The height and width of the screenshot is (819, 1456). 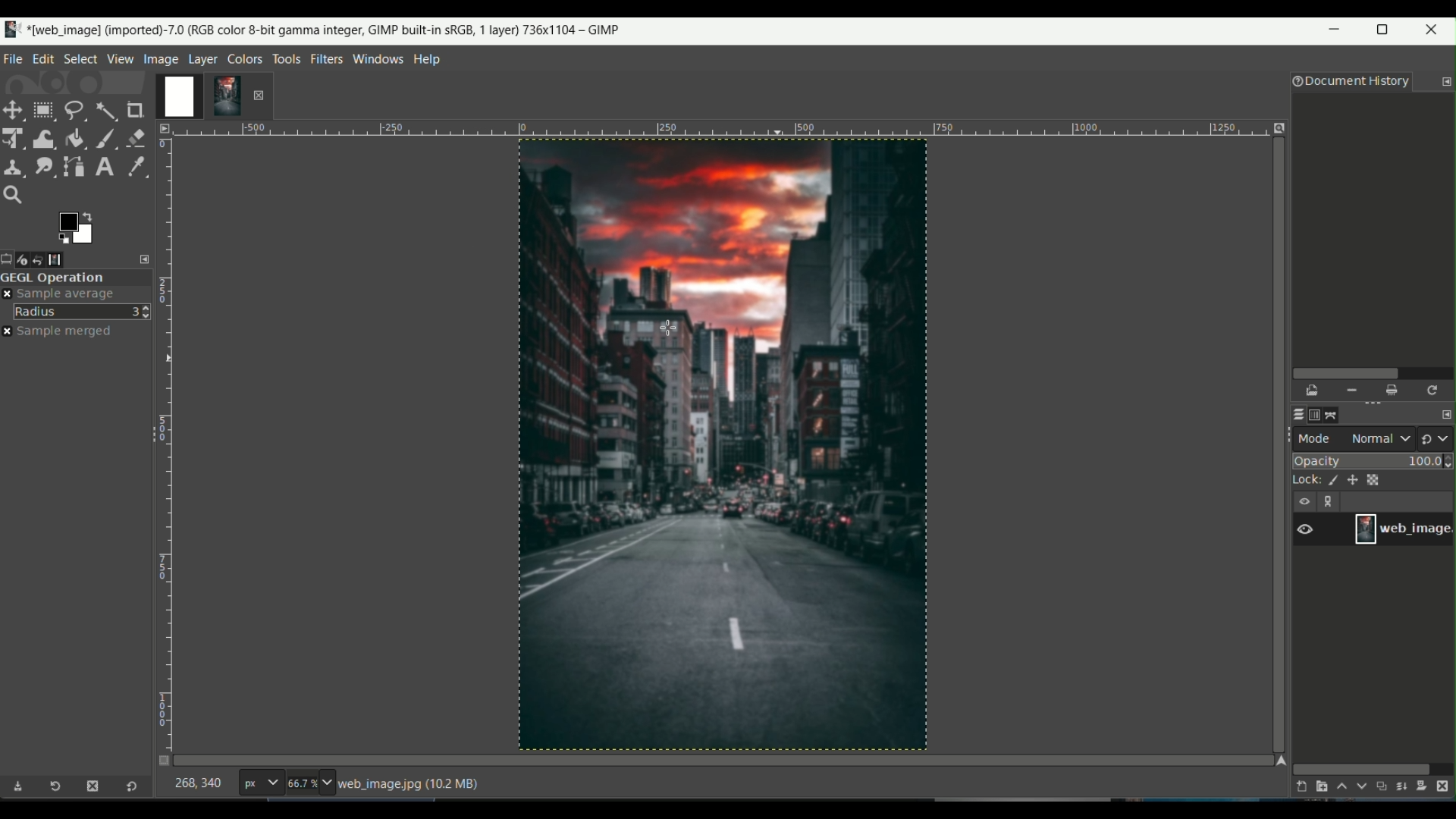 I want to click on image name, so click(x=1403, y=529).